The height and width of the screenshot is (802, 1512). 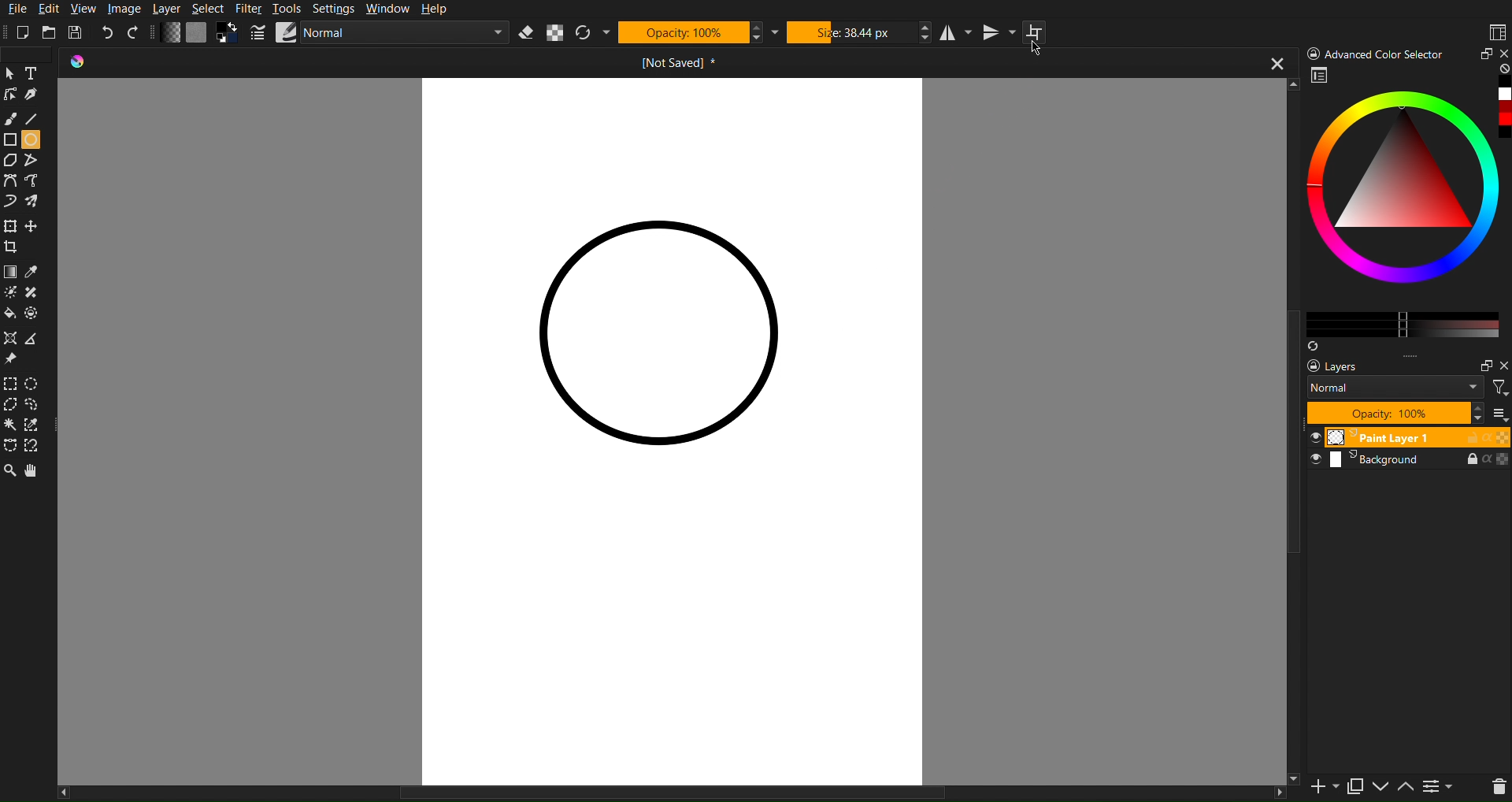 What do you see at coordinates (9, 295) in the screenshot?
I see `Brightness tool` at bounding box center [9, 295].